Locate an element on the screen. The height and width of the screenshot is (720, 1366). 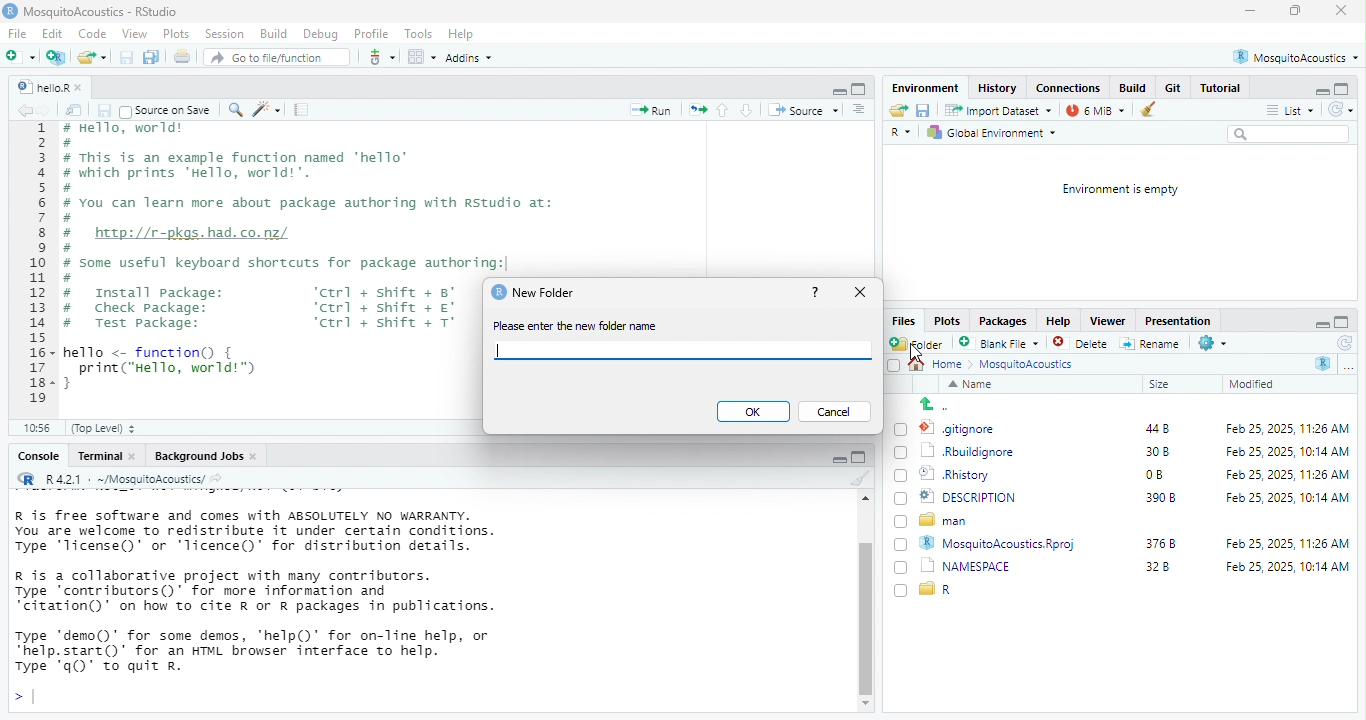
refresh is located at coordinates (1340, 343).